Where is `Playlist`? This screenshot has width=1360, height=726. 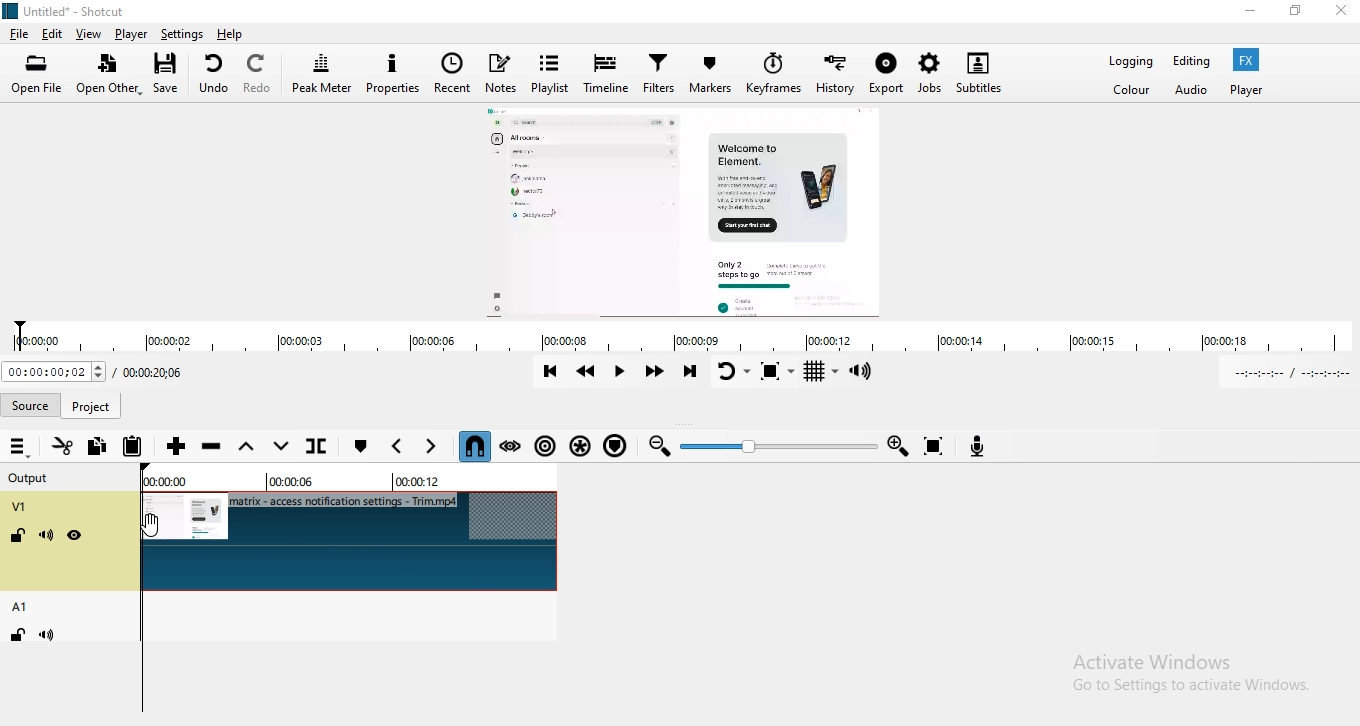
Playlist is located at coordinates (548, 76).